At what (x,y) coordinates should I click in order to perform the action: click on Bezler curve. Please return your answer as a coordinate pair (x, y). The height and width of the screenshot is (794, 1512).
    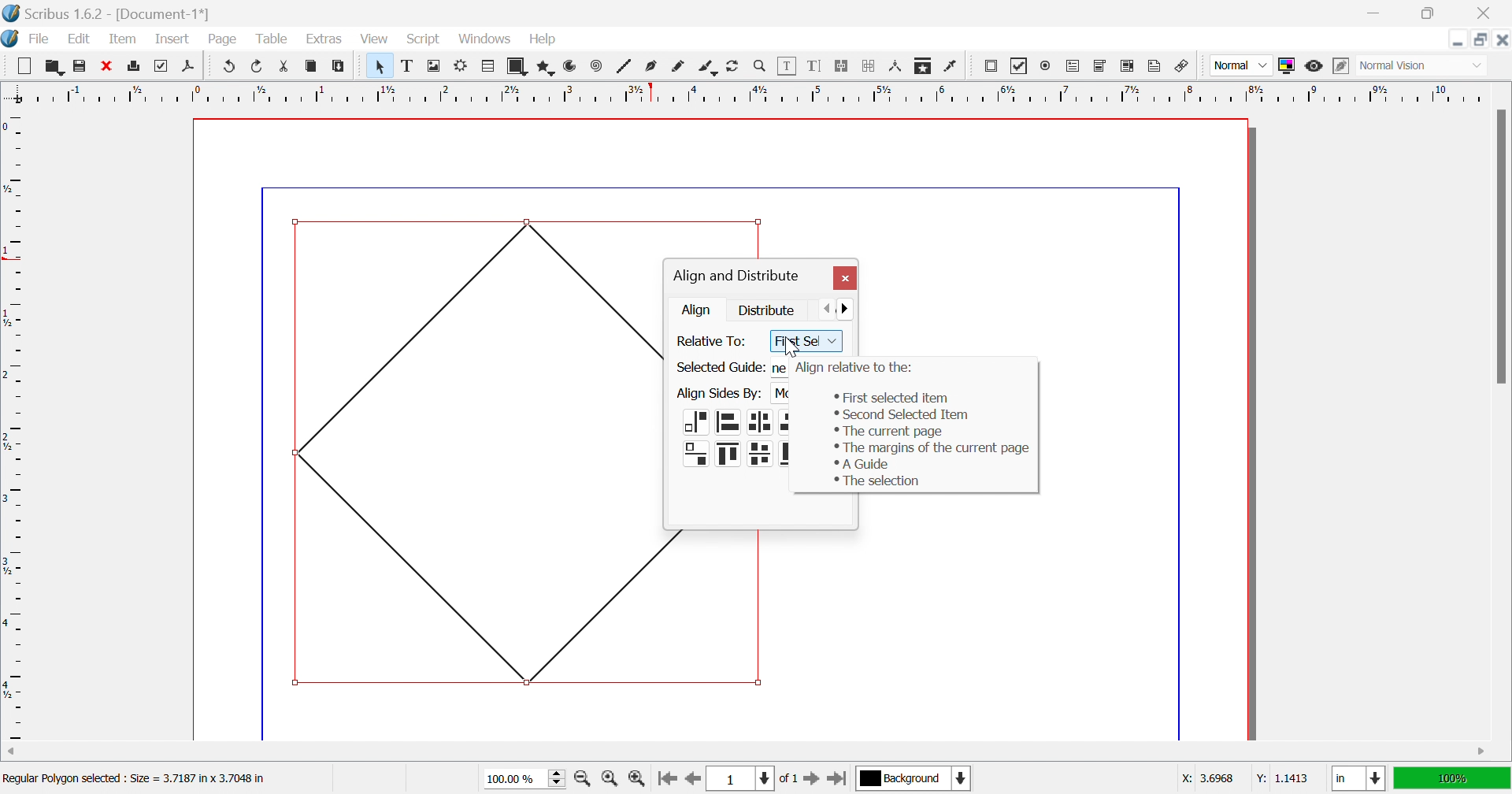
    Looking at the image, I should click on (653, 65).